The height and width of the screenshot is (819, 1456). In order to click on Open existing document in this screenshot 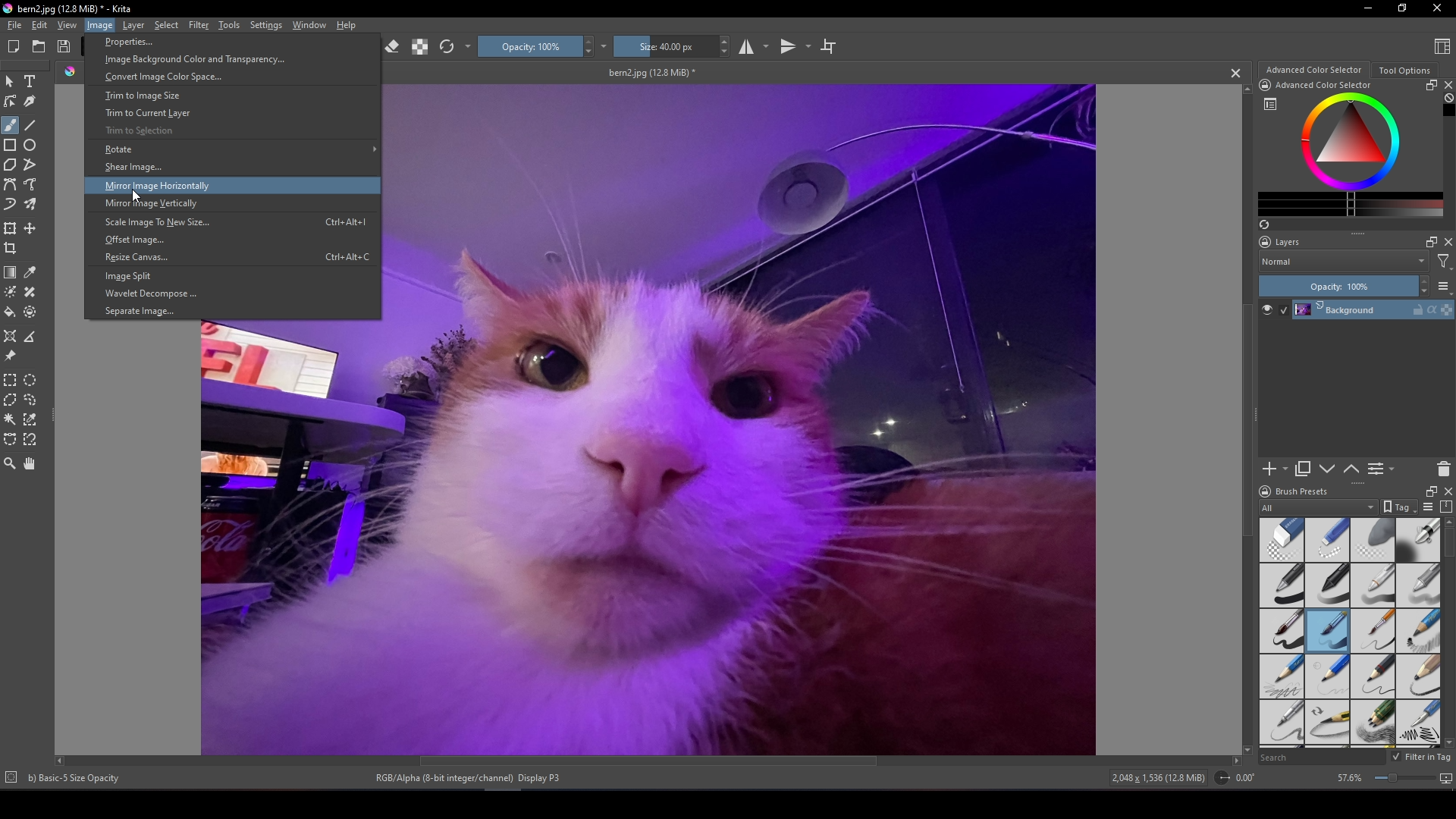, I will do `click(39, 45)`.